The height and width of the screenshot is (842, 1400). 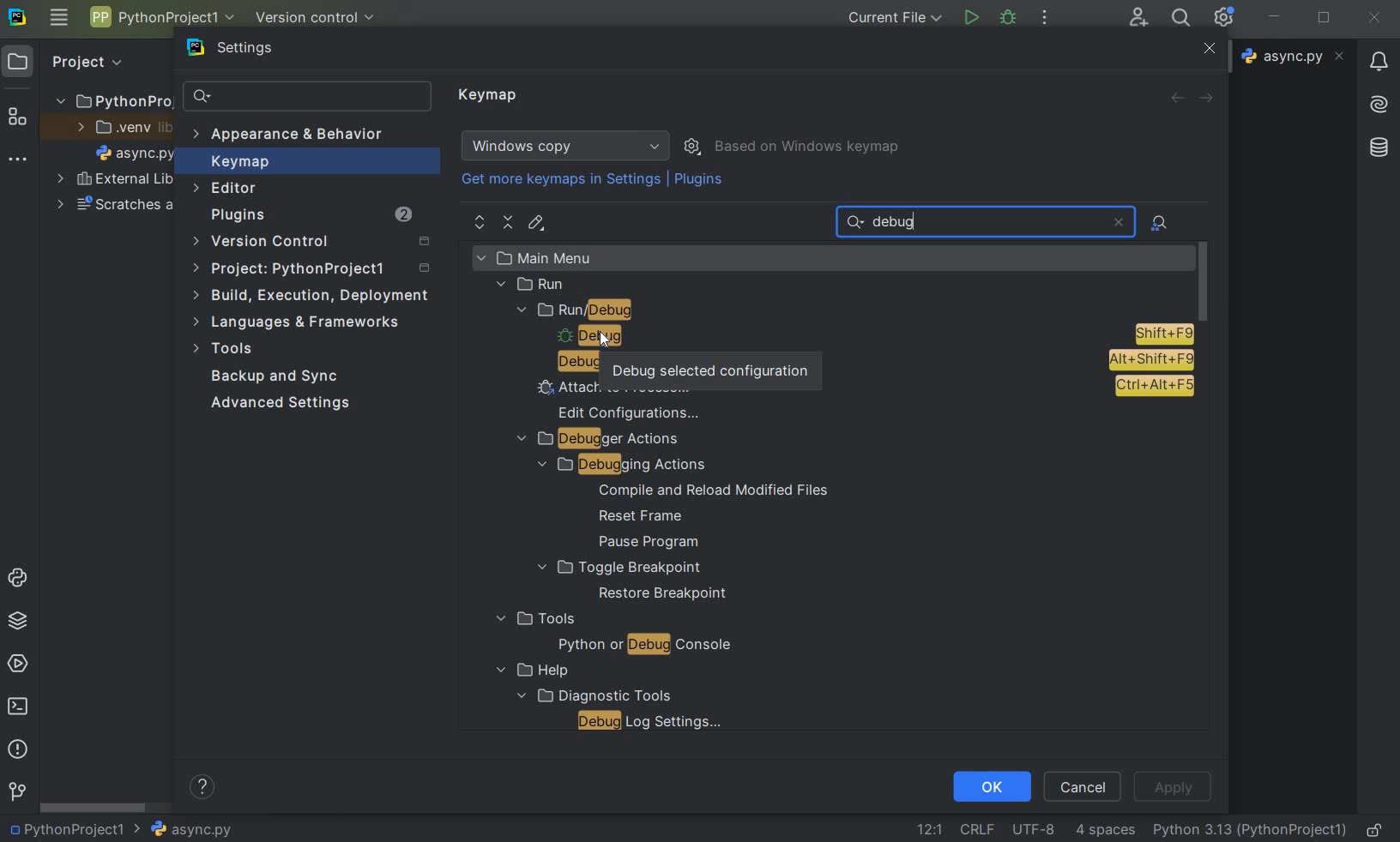 I want to click on advanced settings, so click(x=277, y=403).